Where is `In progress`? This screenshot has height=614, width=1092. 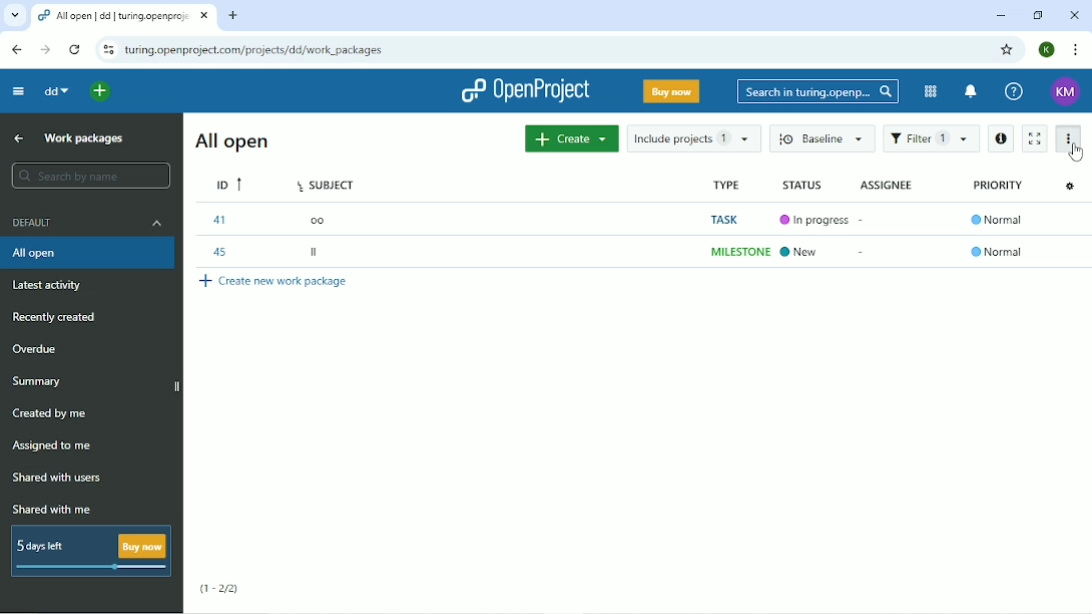 In progress is located at coordinates (815, 219).